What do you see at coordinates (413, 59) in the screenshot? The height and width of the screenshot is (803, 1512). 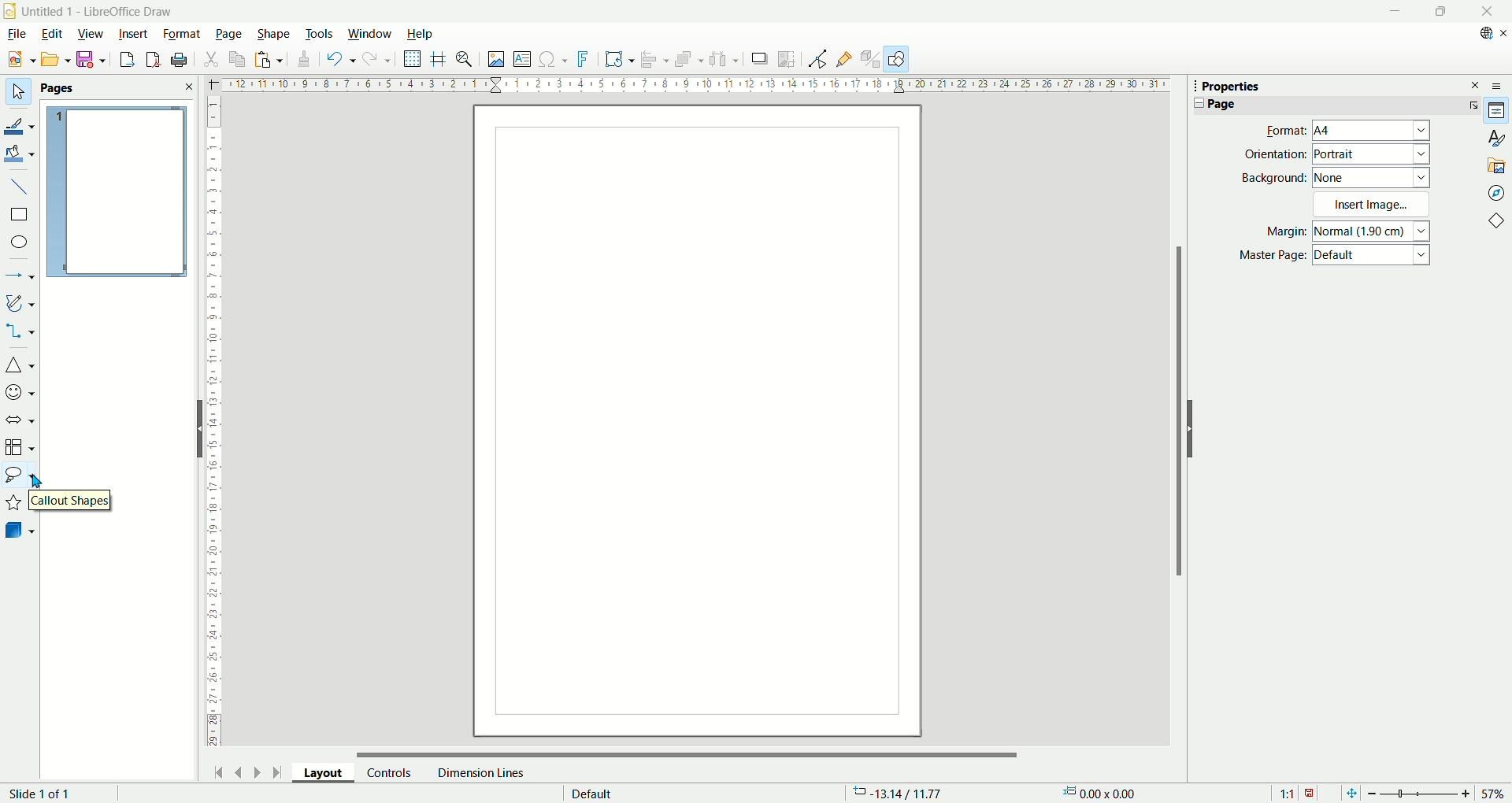 I see `show grid` at bounding box center [413, 59].